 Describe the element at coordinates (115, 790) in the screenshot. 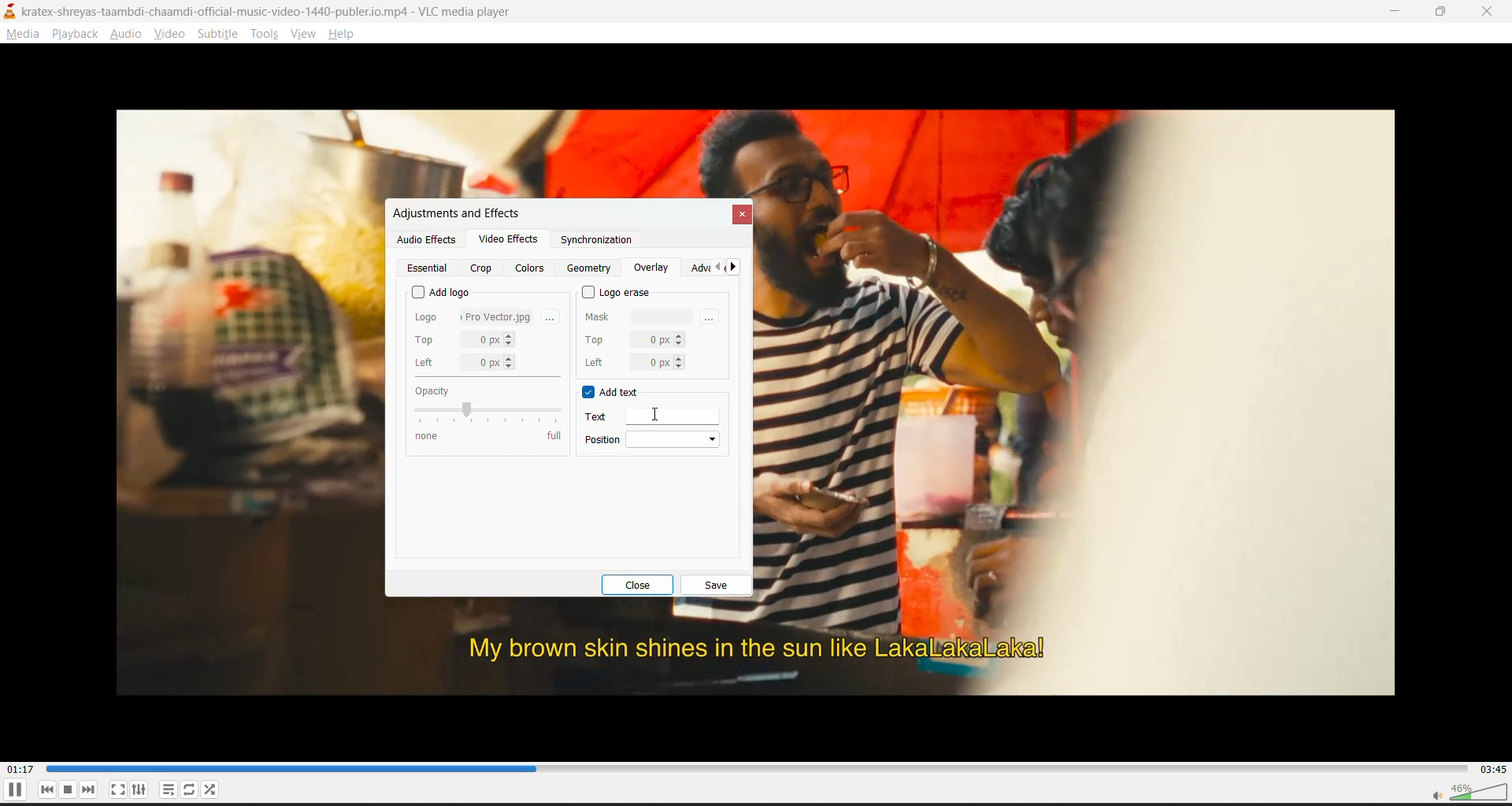

I see `full screen` at that location.